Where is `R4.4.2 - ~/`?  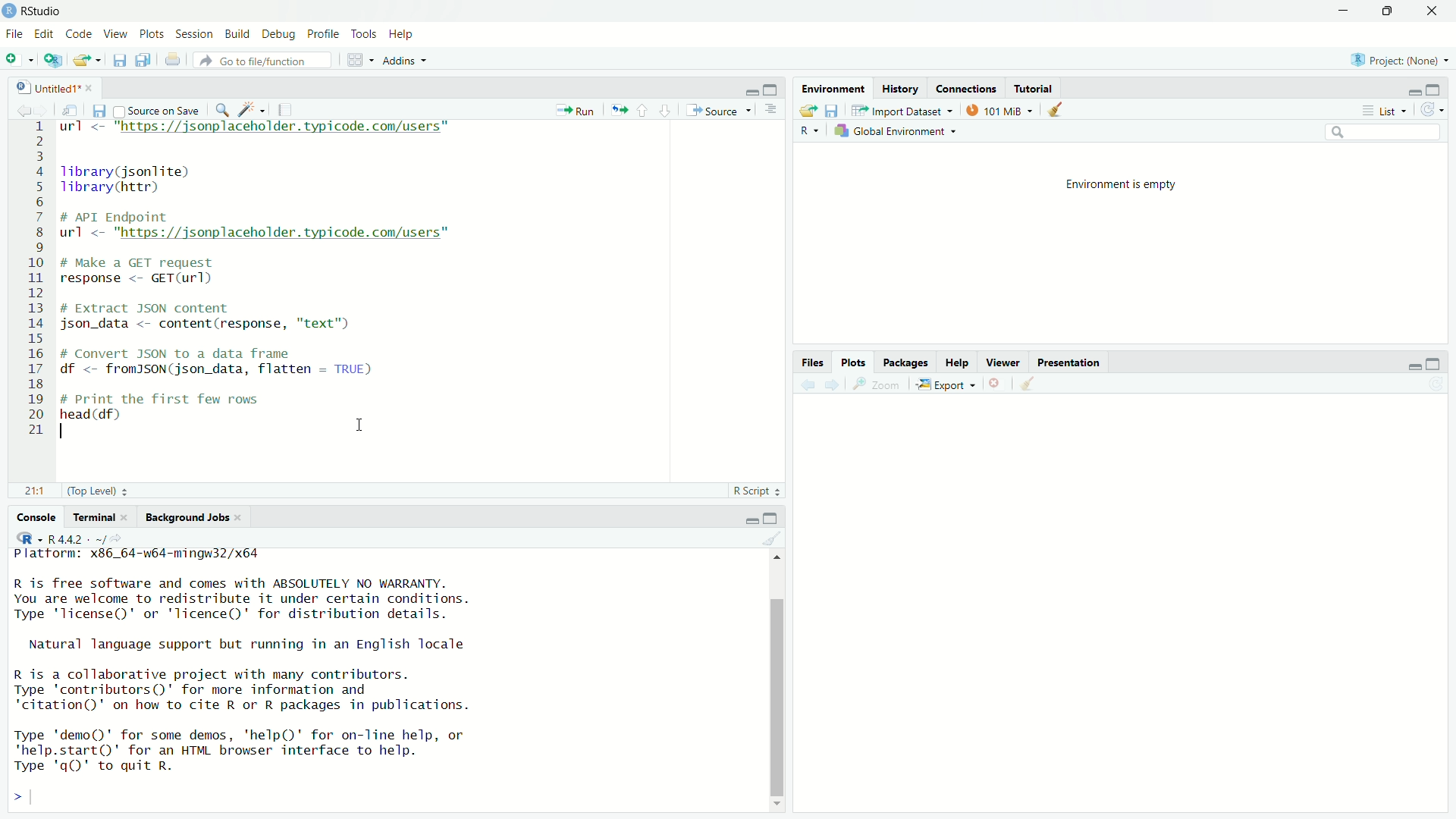
R4.4.2 - ~/ is located at coordinates (89, 538).